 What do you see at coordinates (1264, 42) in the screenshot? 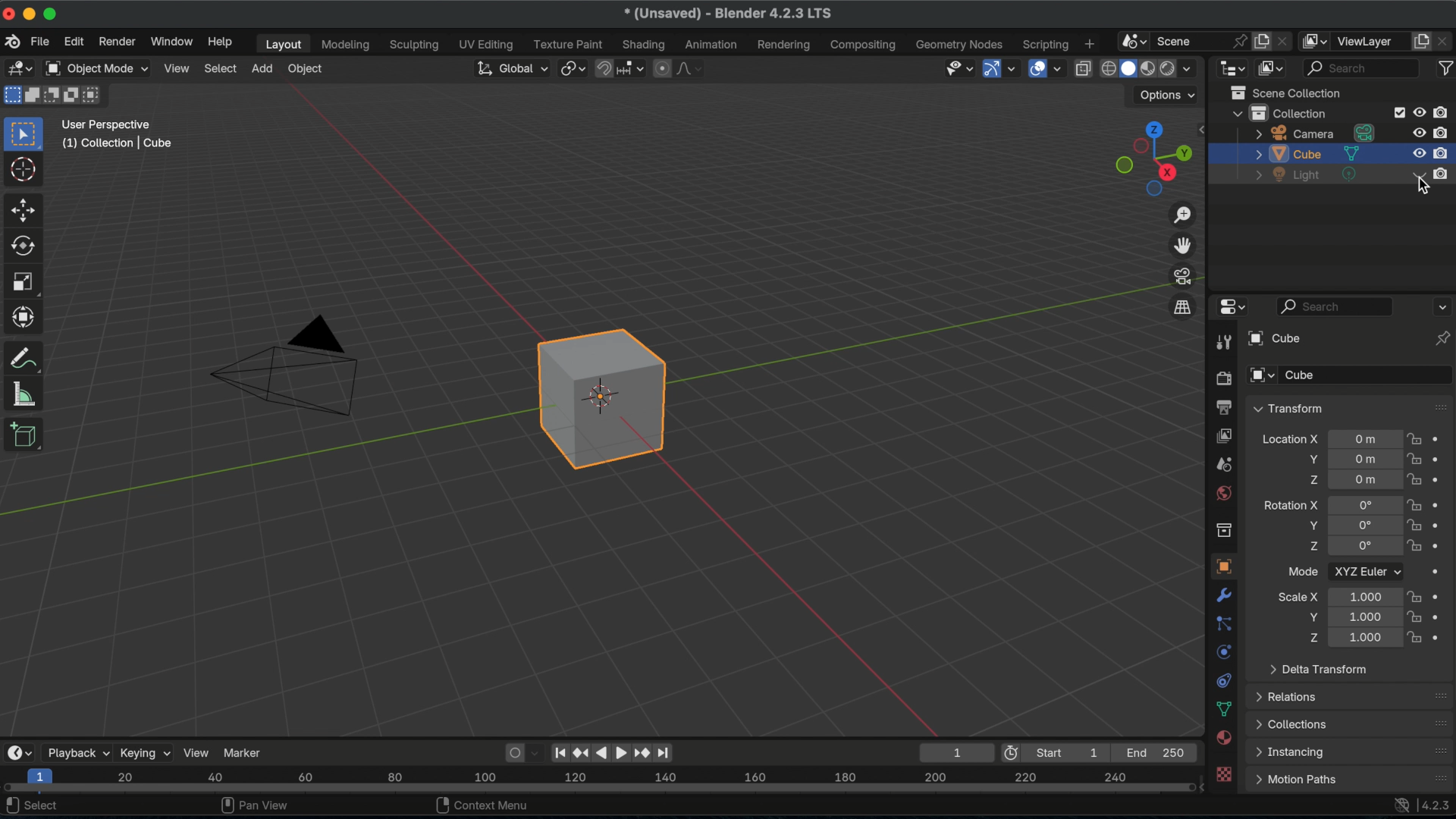
I see `new scene` at bounding box center [1264, 42].